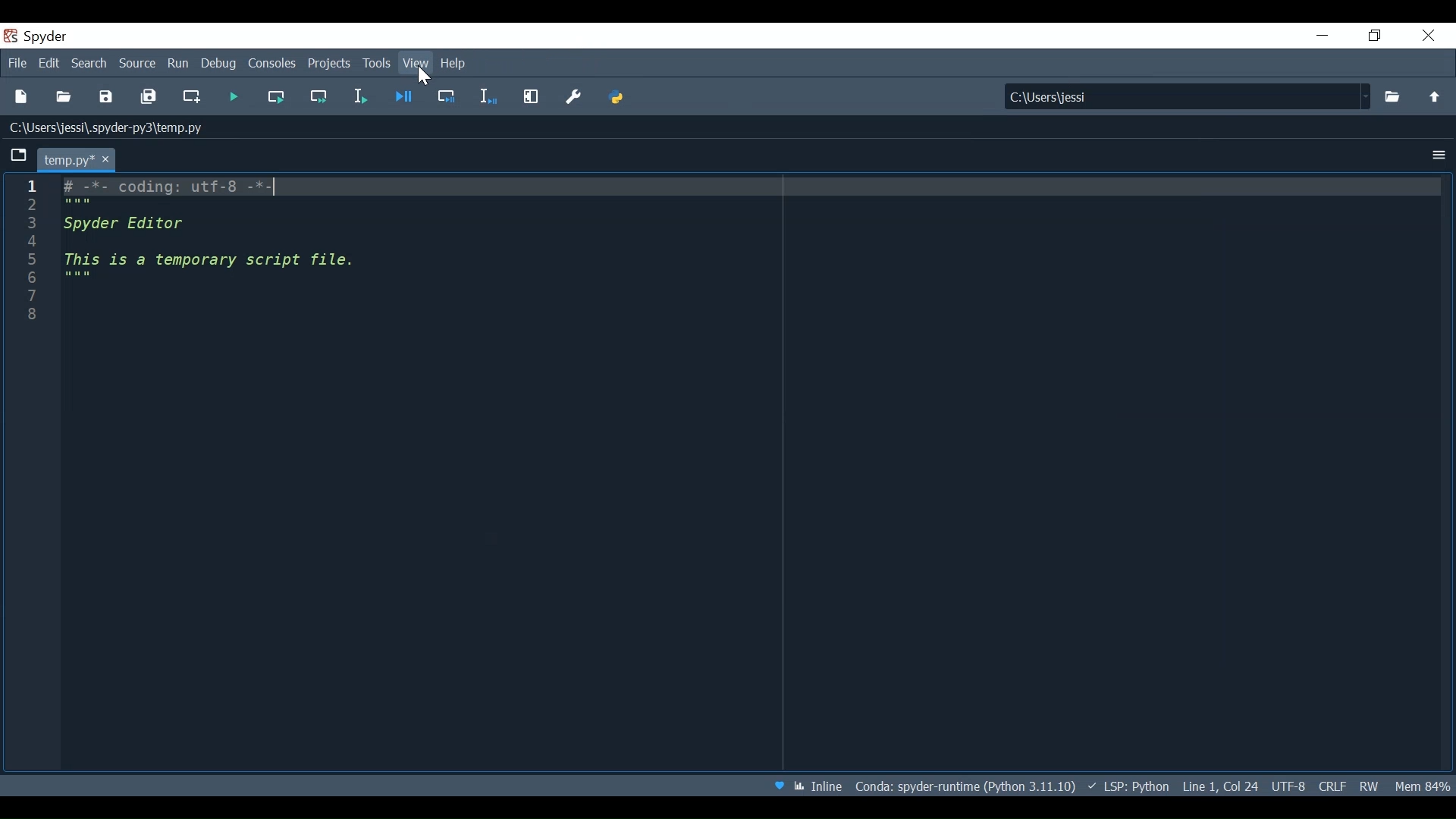 This screenshot has height=819, width=1456. What do you see at coordinates (1289, 786) in the screenshot?
I see `File Encoding` at bounding box center [1289, 786].